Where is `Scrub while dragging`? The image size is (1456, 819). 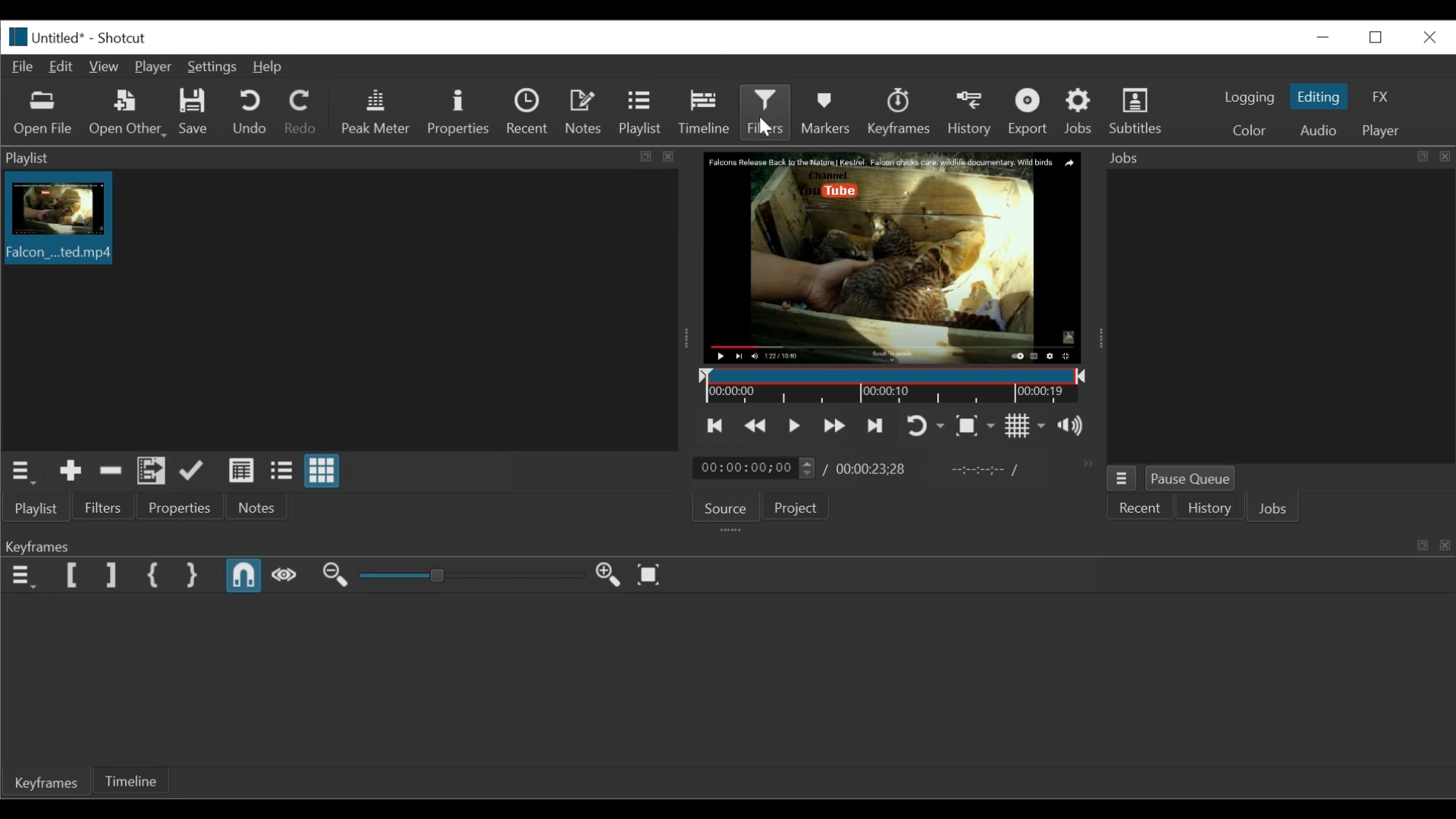
Scrub while dragging is located at coordinates (284, 576).